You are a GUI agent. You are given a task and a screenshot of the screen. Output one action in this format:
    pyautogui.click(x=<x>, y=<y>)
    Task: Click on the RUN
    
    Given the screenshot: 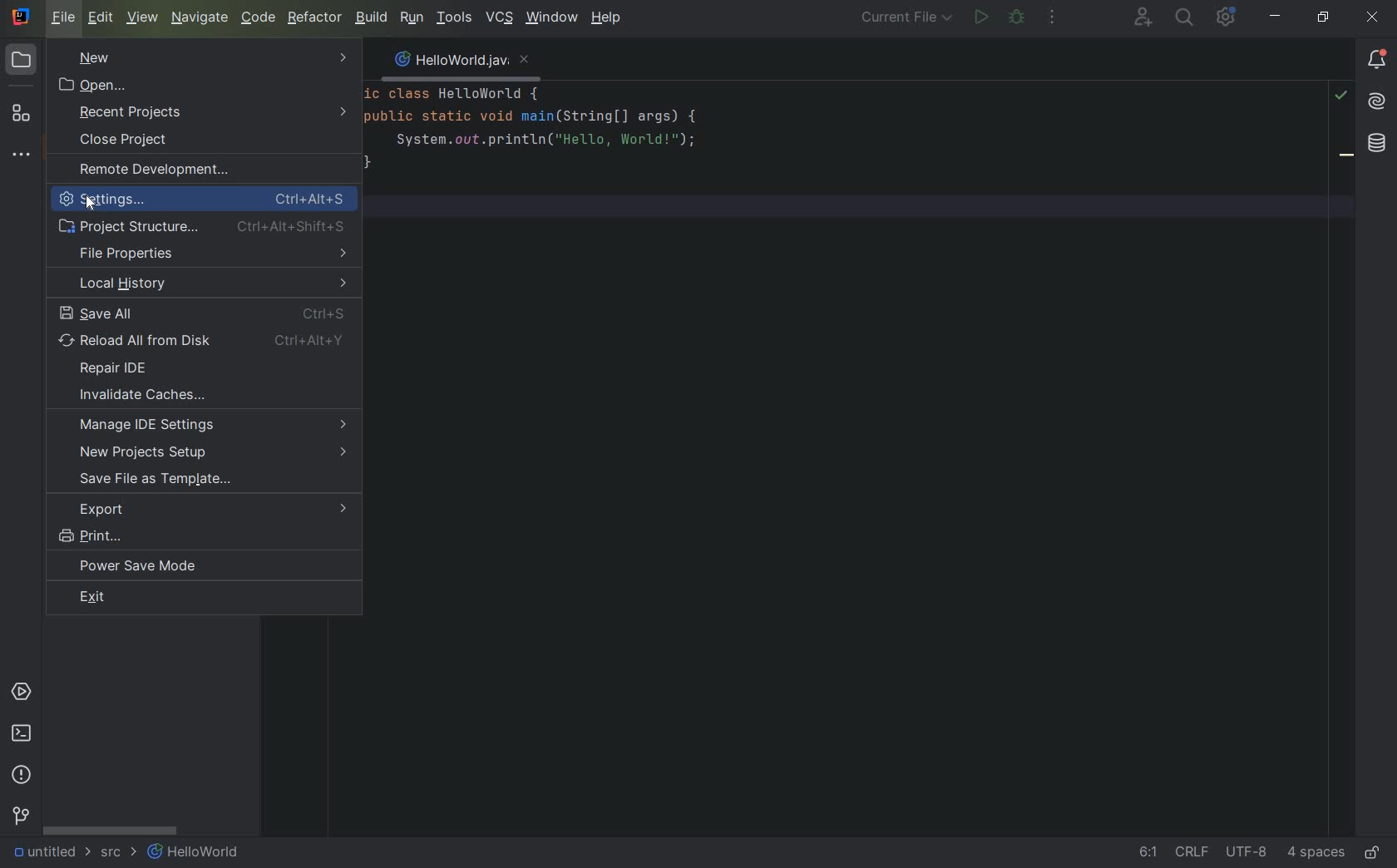 What is the action you would take?
    pyautogui.click(x=412, y=18)
    